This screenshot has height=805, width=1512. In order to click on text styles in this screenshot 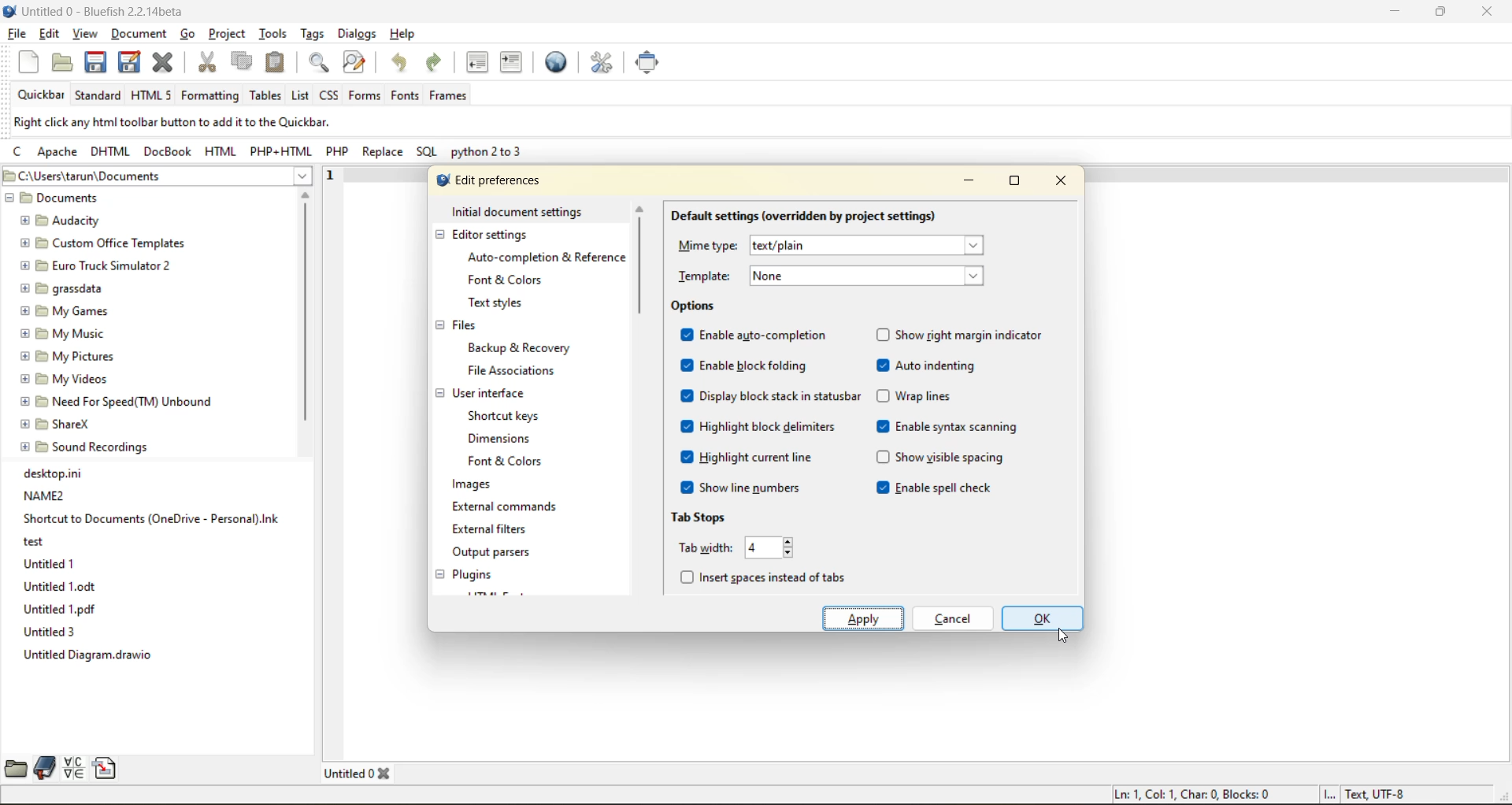, I will do `click(501, 303)`.